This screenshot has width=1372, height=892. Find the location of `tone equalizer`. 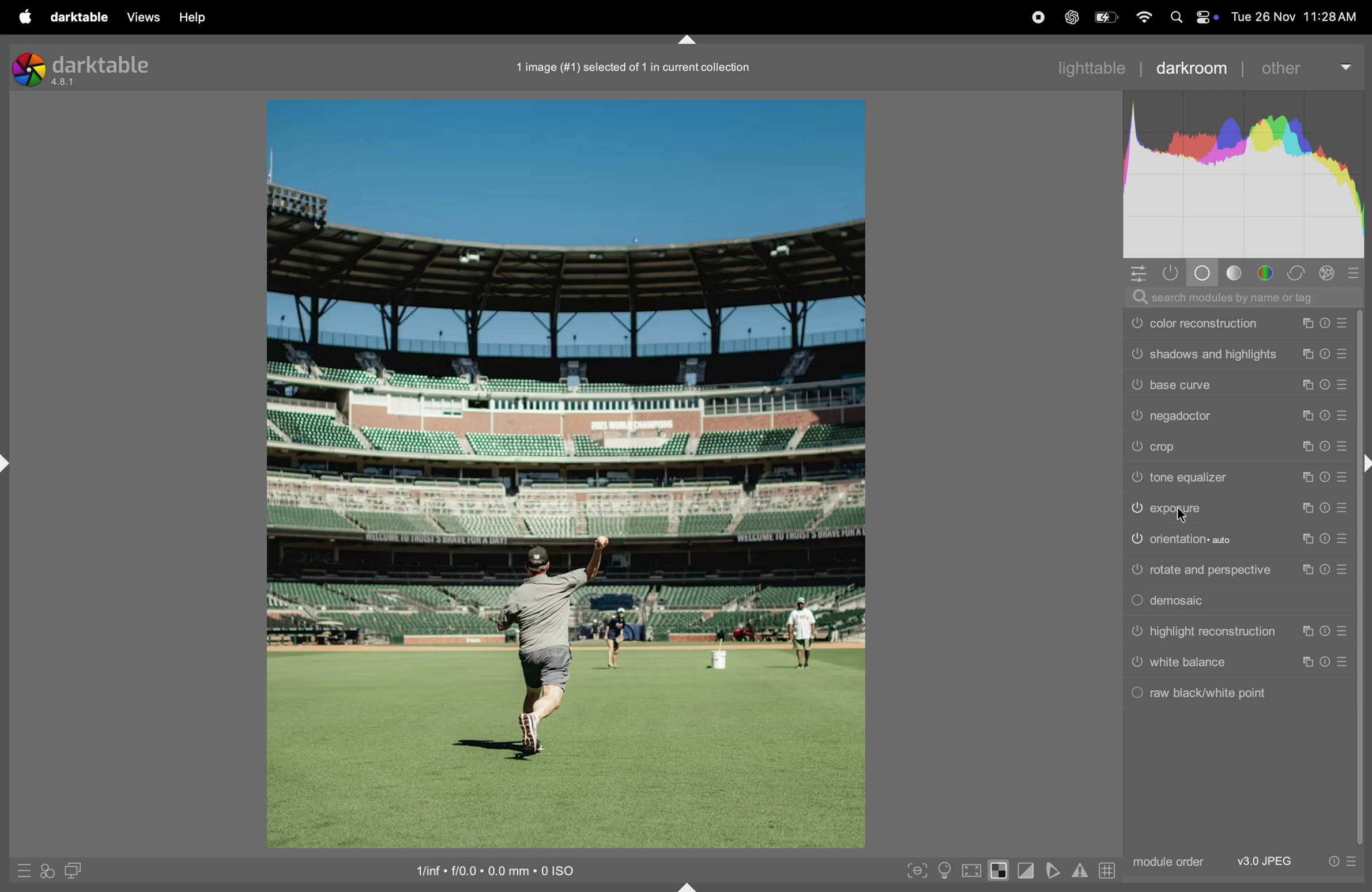

tone equalizer is located at coordinates (1190, 478).